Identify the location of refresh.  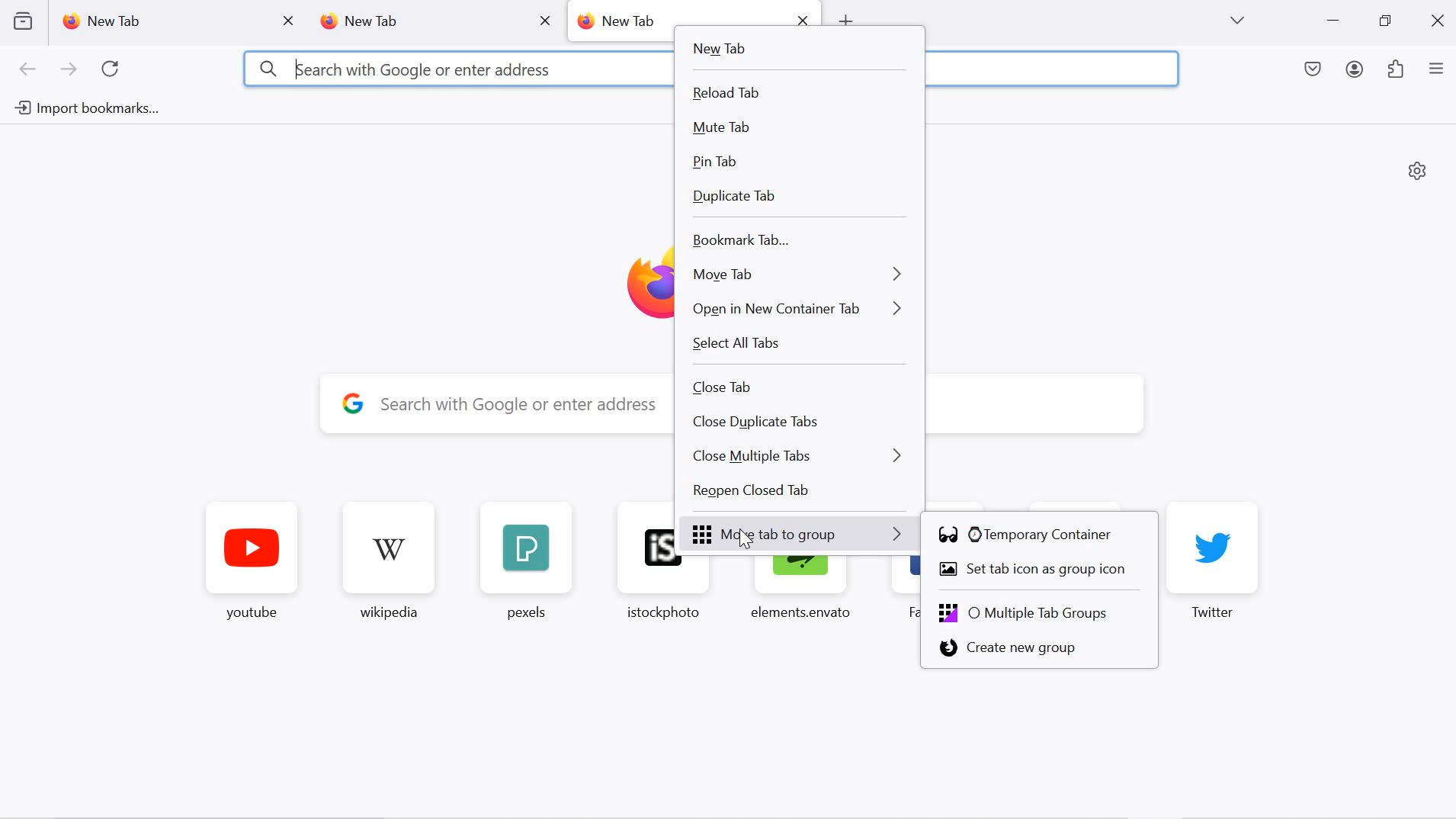
(111, 69).